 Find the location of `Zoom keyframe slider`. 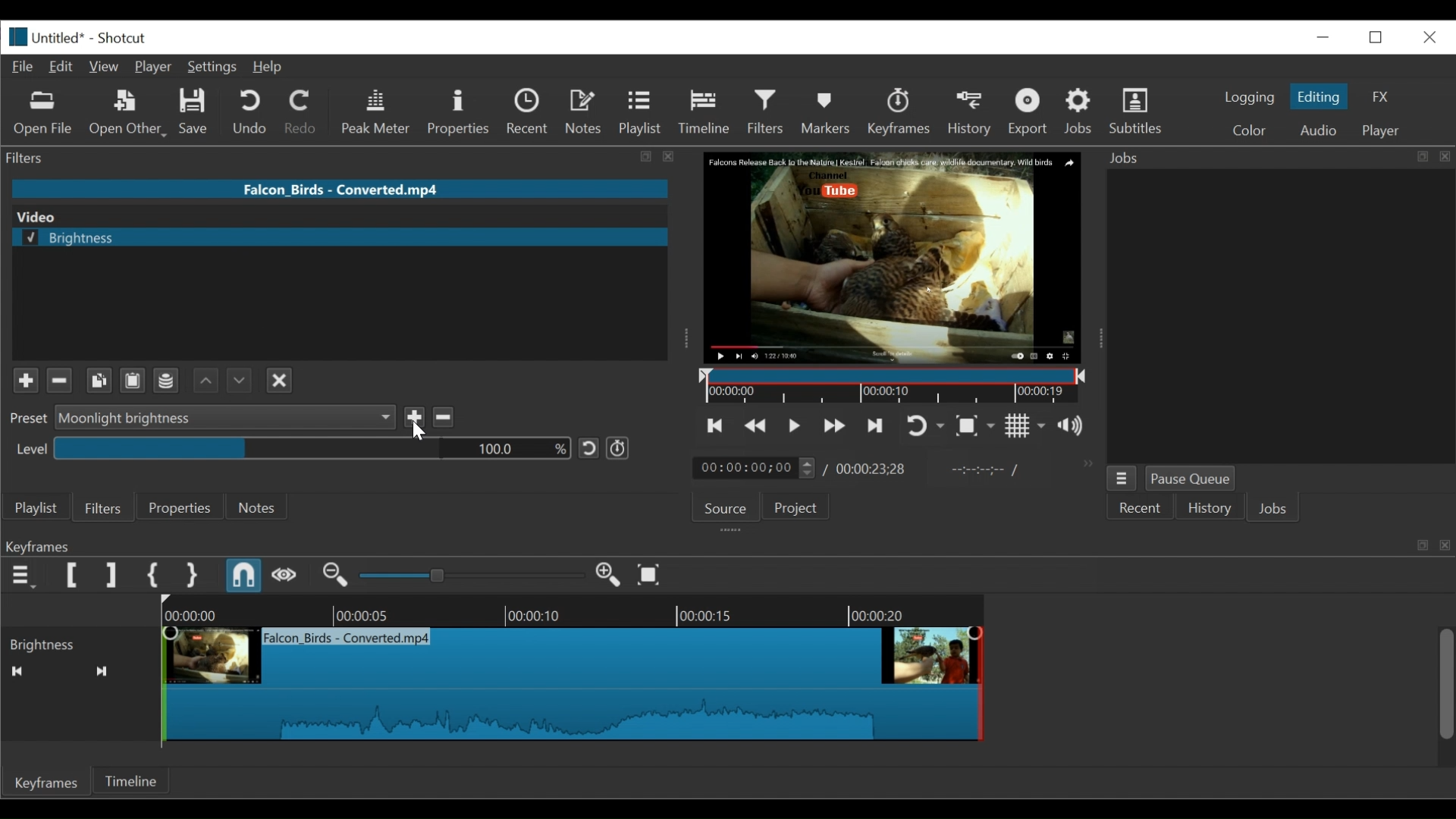

Zoom keyframe slider is located at coordinates (472, 576).